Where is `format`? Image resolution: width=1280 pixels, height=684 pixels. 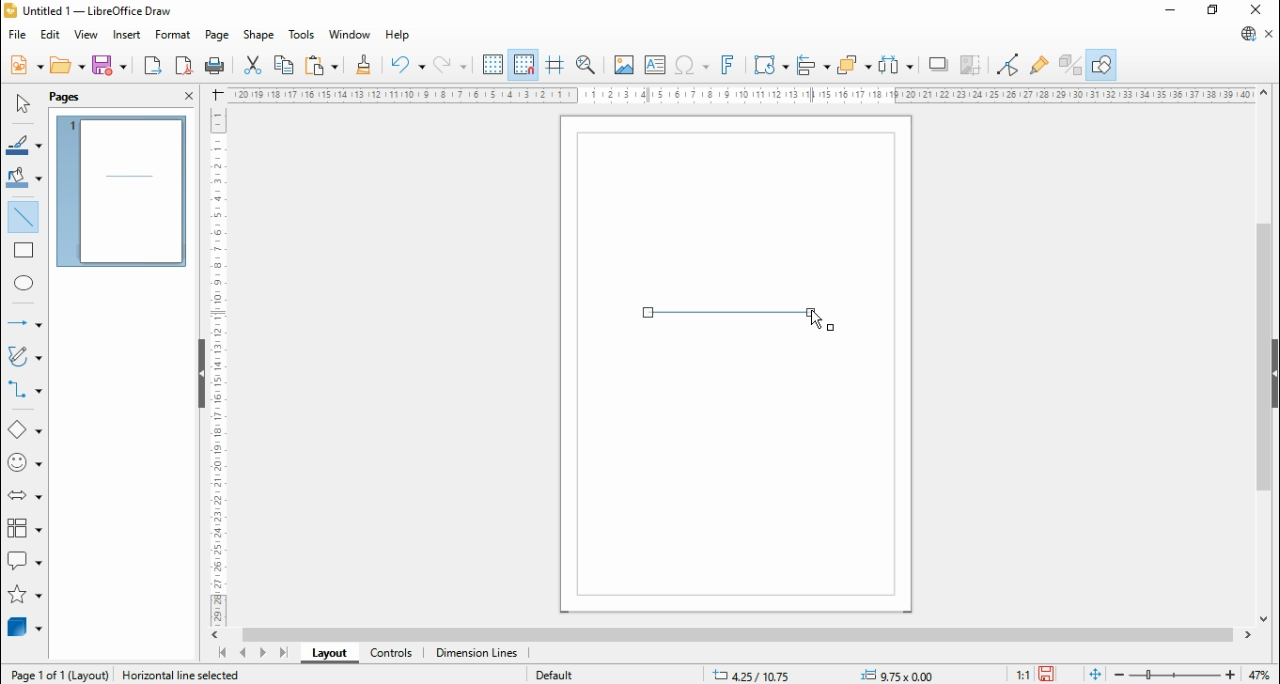 format is located at coordinates (174, 35).